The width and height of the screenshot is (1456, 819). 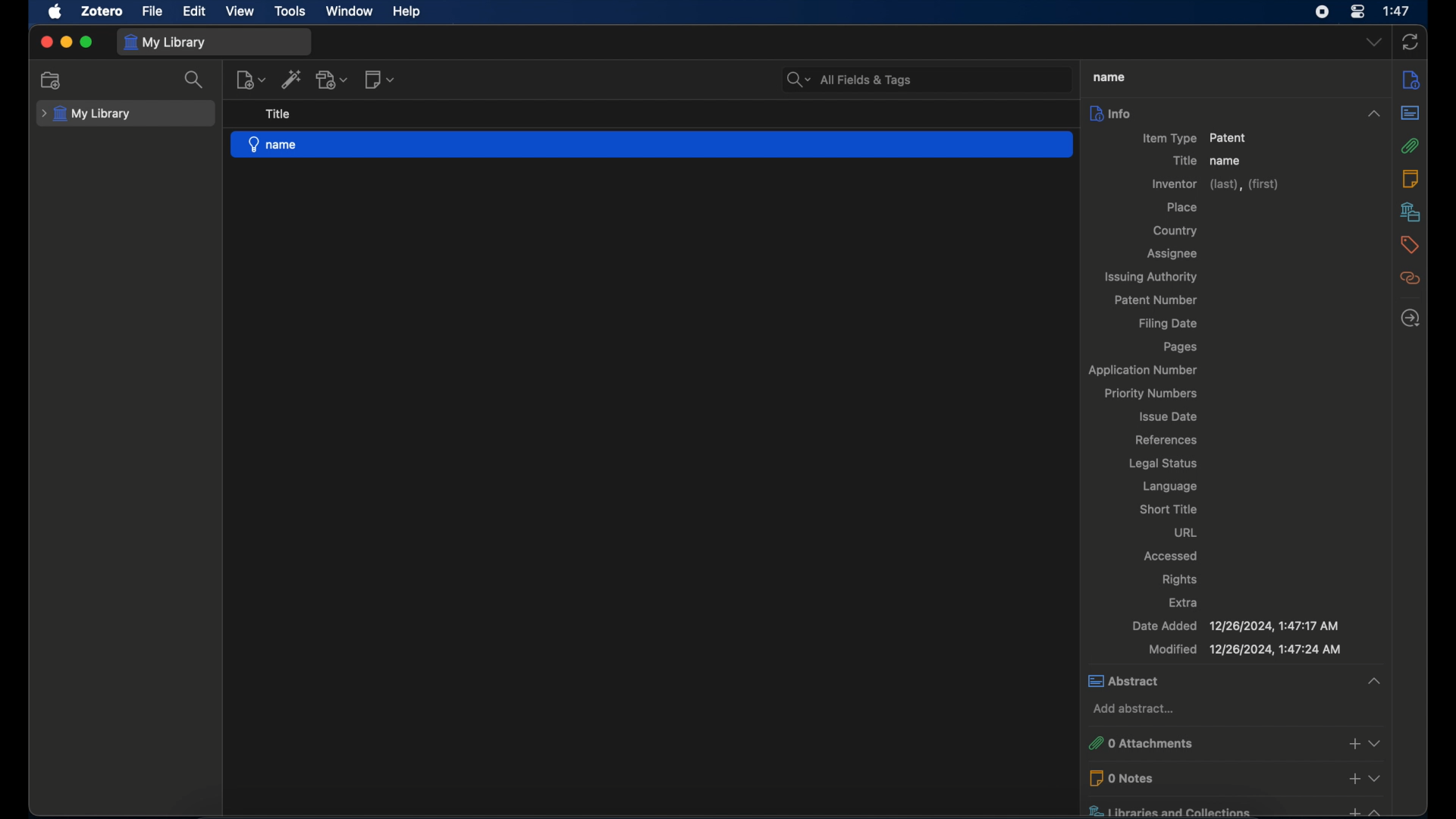 What do you see at coordinates (1171, 255) in the screenshot?
I see `assignee` at bounding box center [1171, 255].